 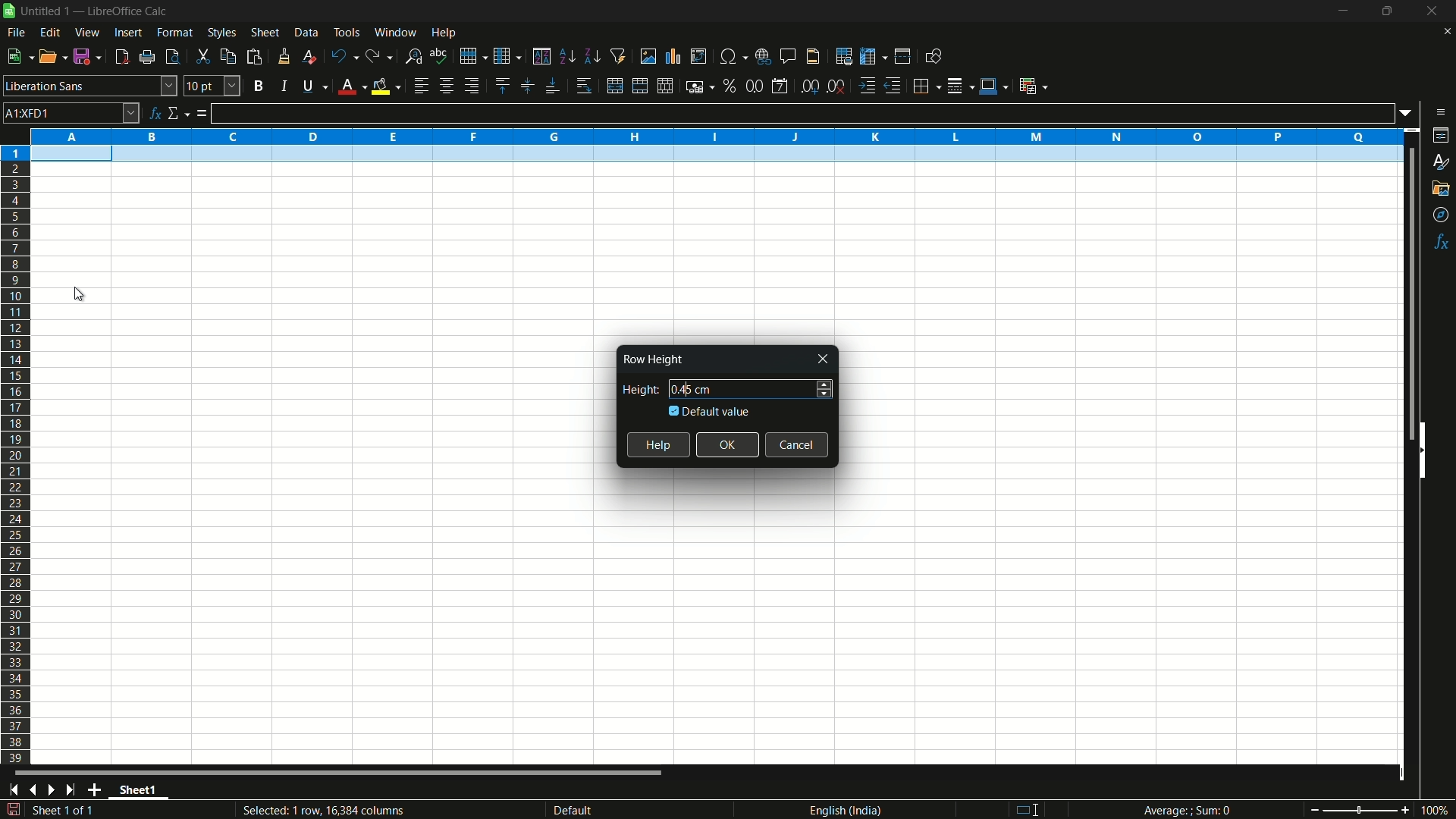 I want to click on insert comment, so click(x=789, y=56).